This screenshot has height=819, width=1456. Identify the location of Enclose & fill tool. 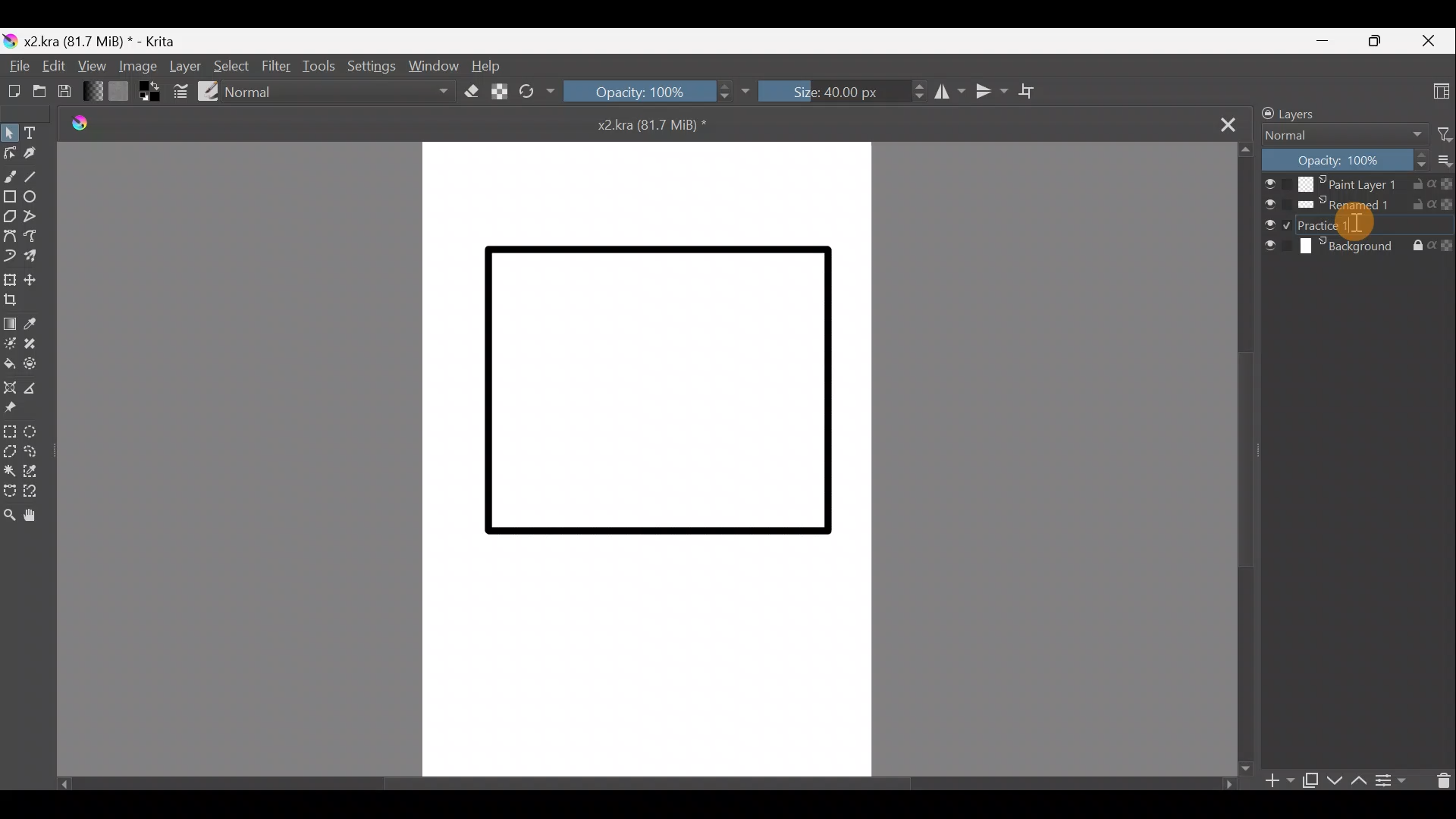
(38, 366).